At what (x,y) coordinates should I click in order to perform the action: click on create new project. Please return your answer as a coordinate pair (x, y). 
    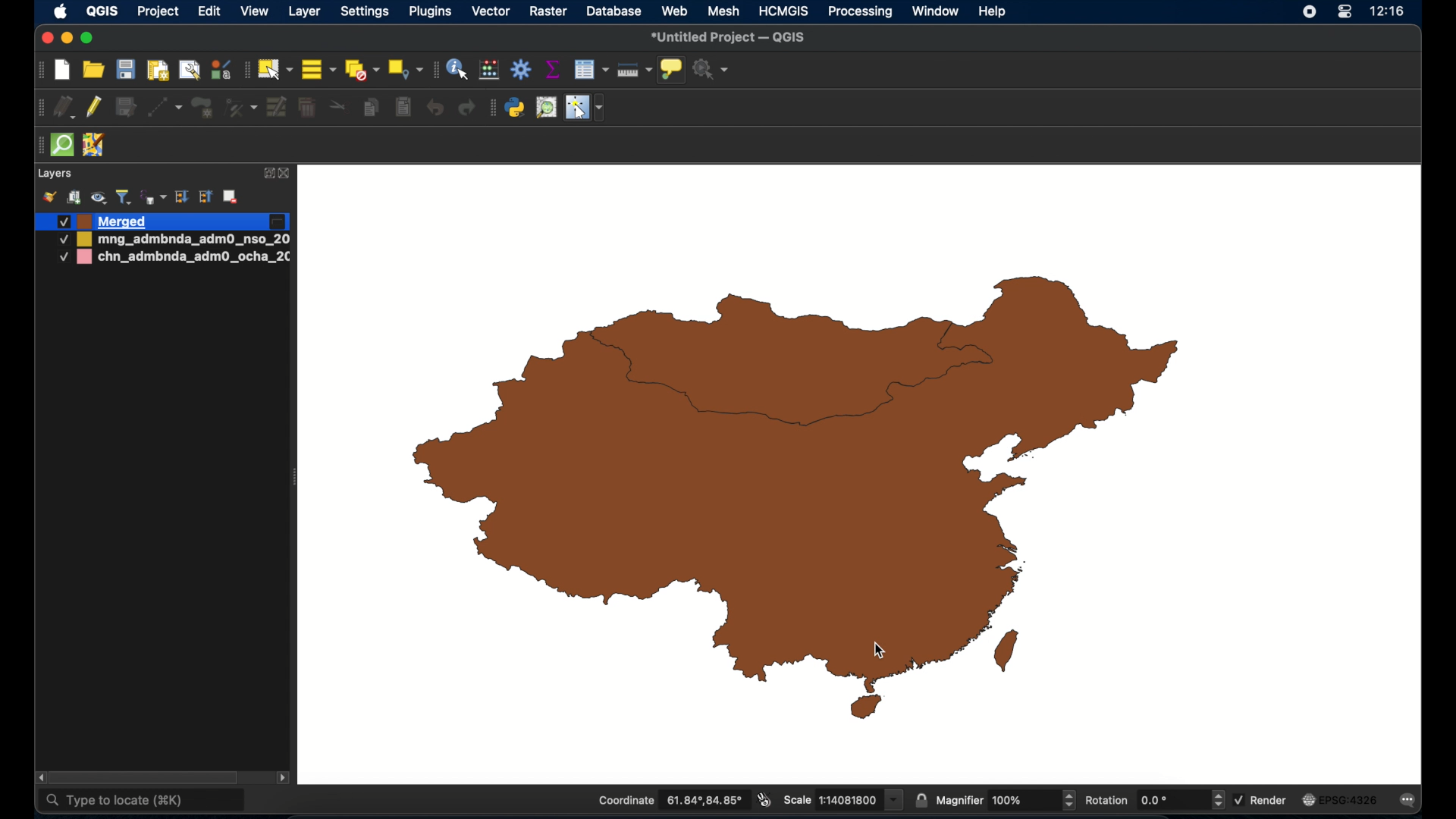
    Looking at the image, I should click on (63, 71).